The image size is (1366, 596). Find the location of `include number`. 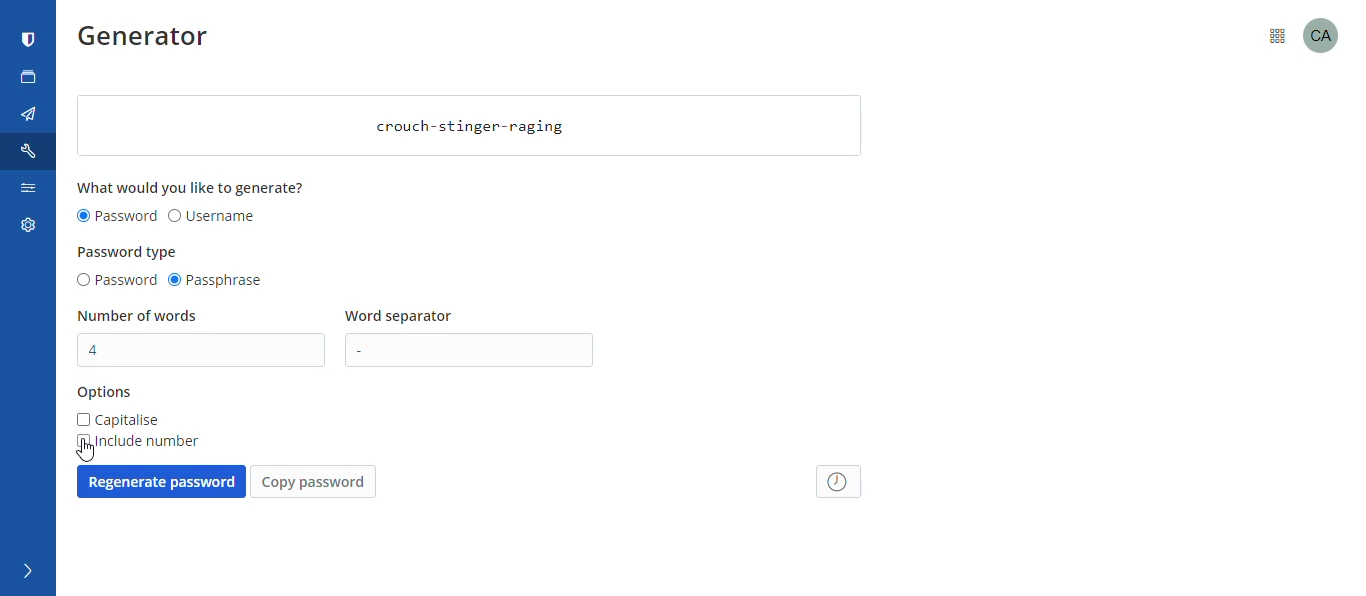

include number is located at coordinates (136, 441).